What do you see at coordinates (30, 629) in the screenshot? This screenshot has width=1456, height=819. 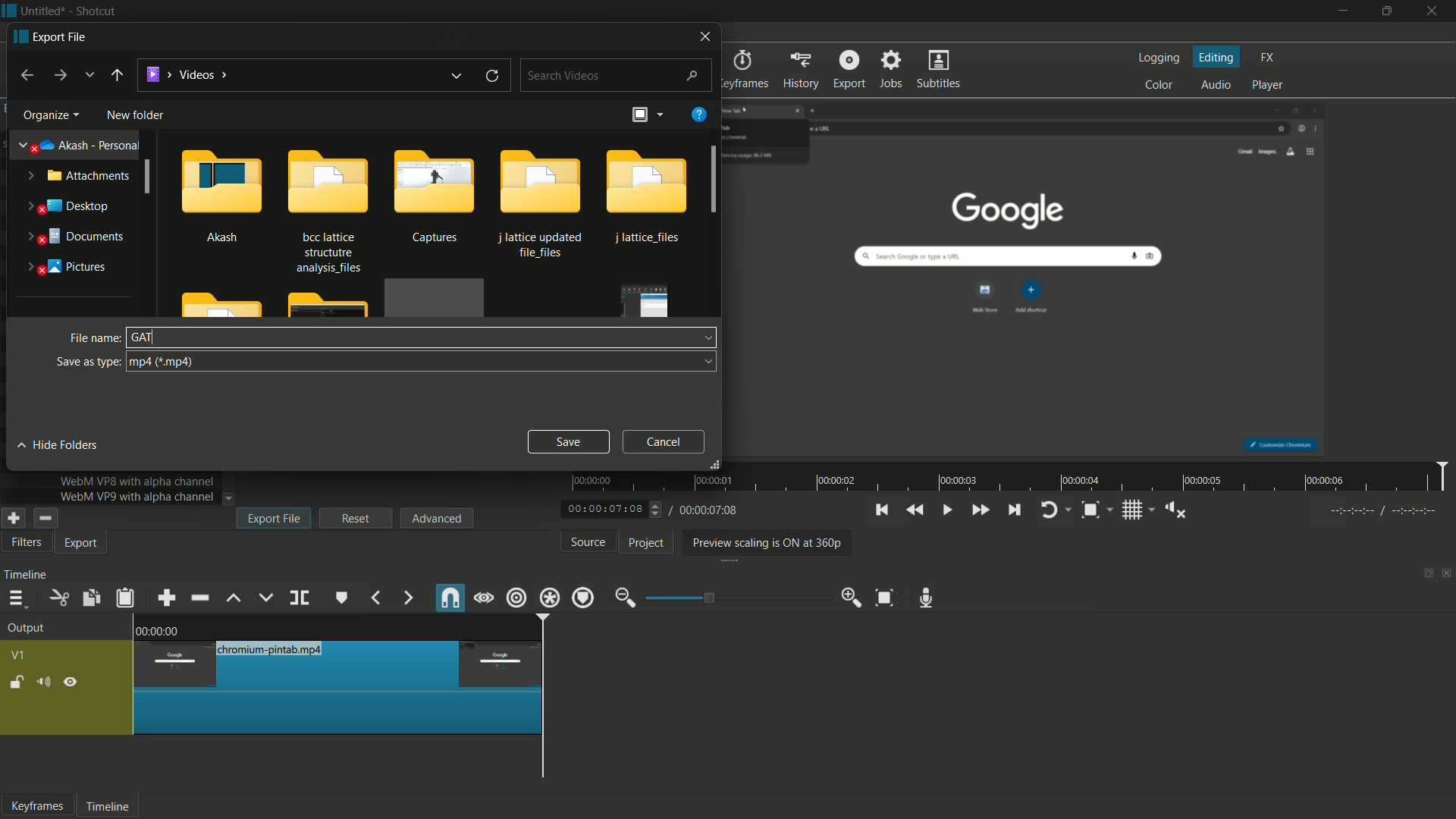 I see `output` at bounding box center [30, 629].